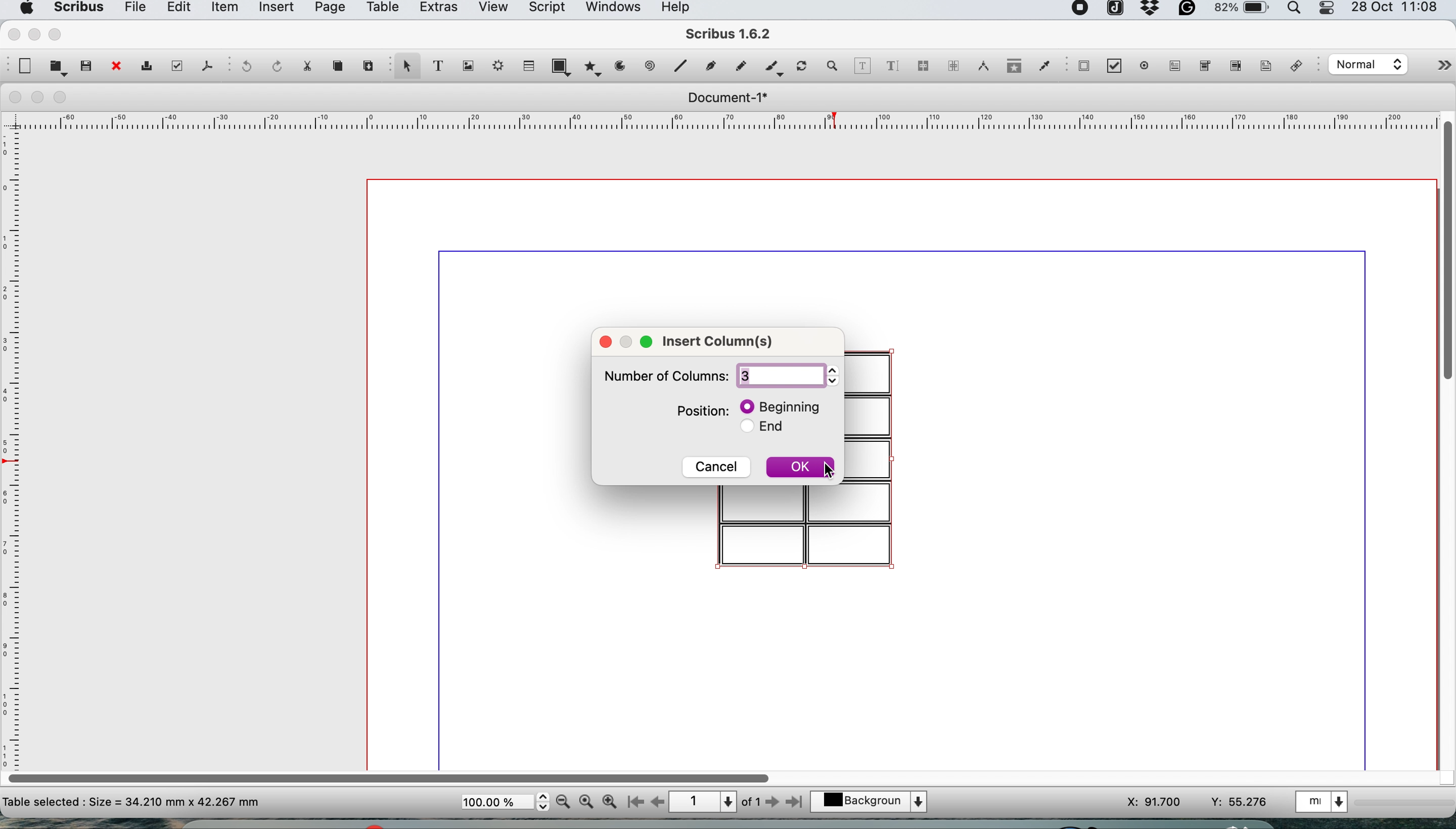 The height and width of the screenshot is (829, 1456). Describe the element at coordinates (714, 802) in the screenshot. I see `page 1 of 1` at that location.